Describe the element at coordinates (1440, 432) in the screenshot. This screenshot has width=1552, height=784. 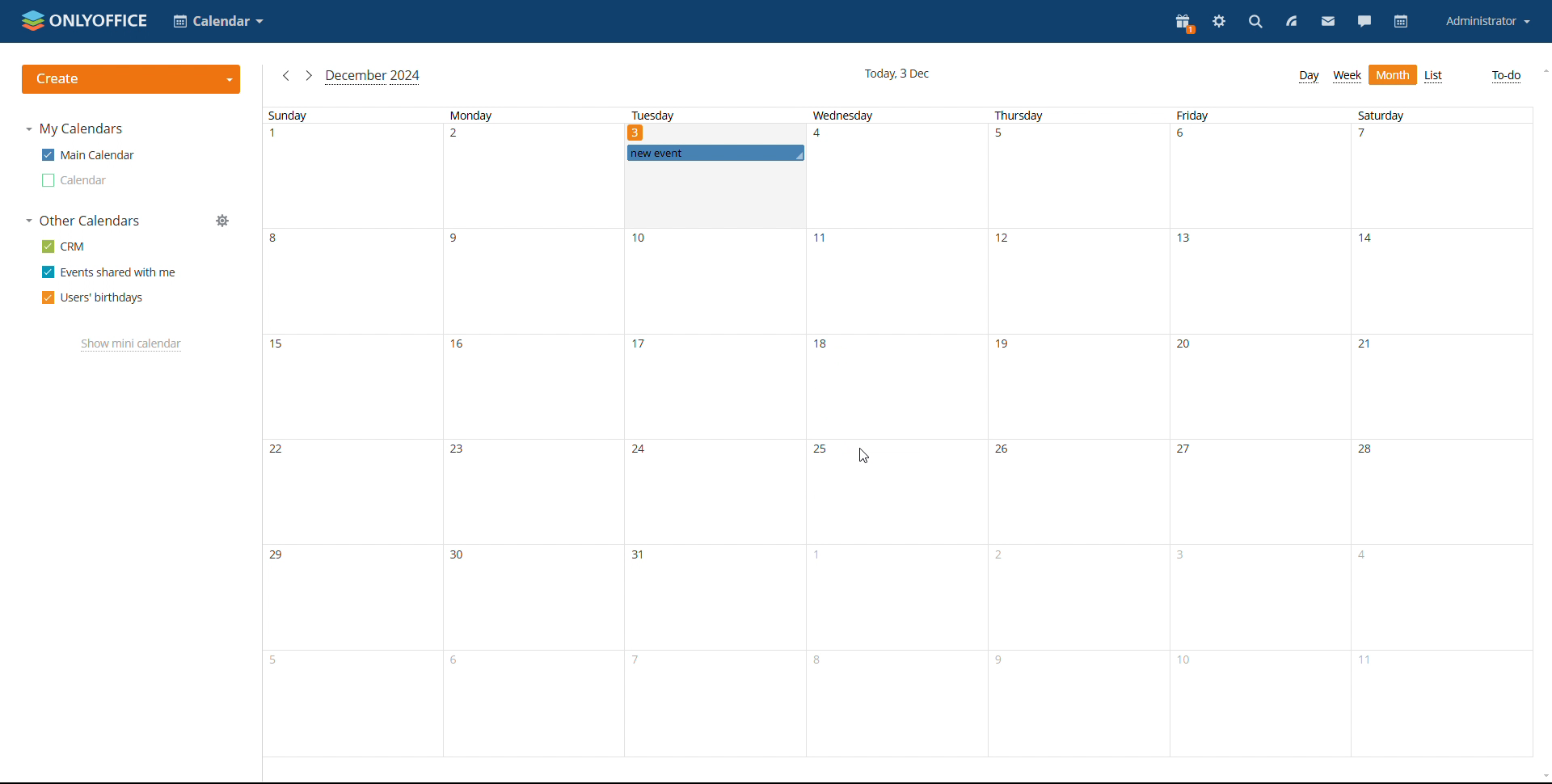
I see `saturday` at that location.